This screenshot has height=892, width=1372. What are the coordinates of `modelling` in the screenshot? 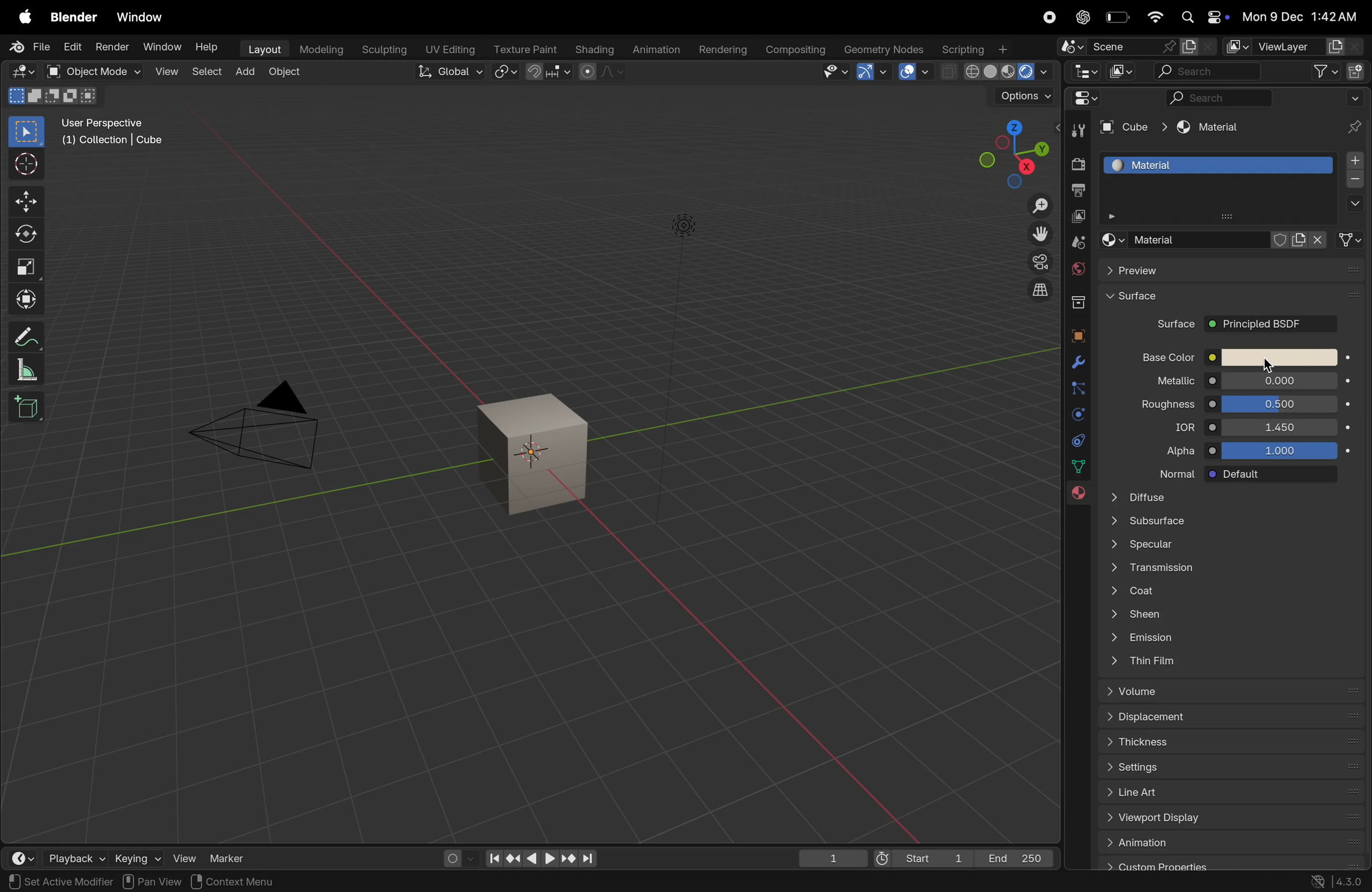 It's located at (323, 50).